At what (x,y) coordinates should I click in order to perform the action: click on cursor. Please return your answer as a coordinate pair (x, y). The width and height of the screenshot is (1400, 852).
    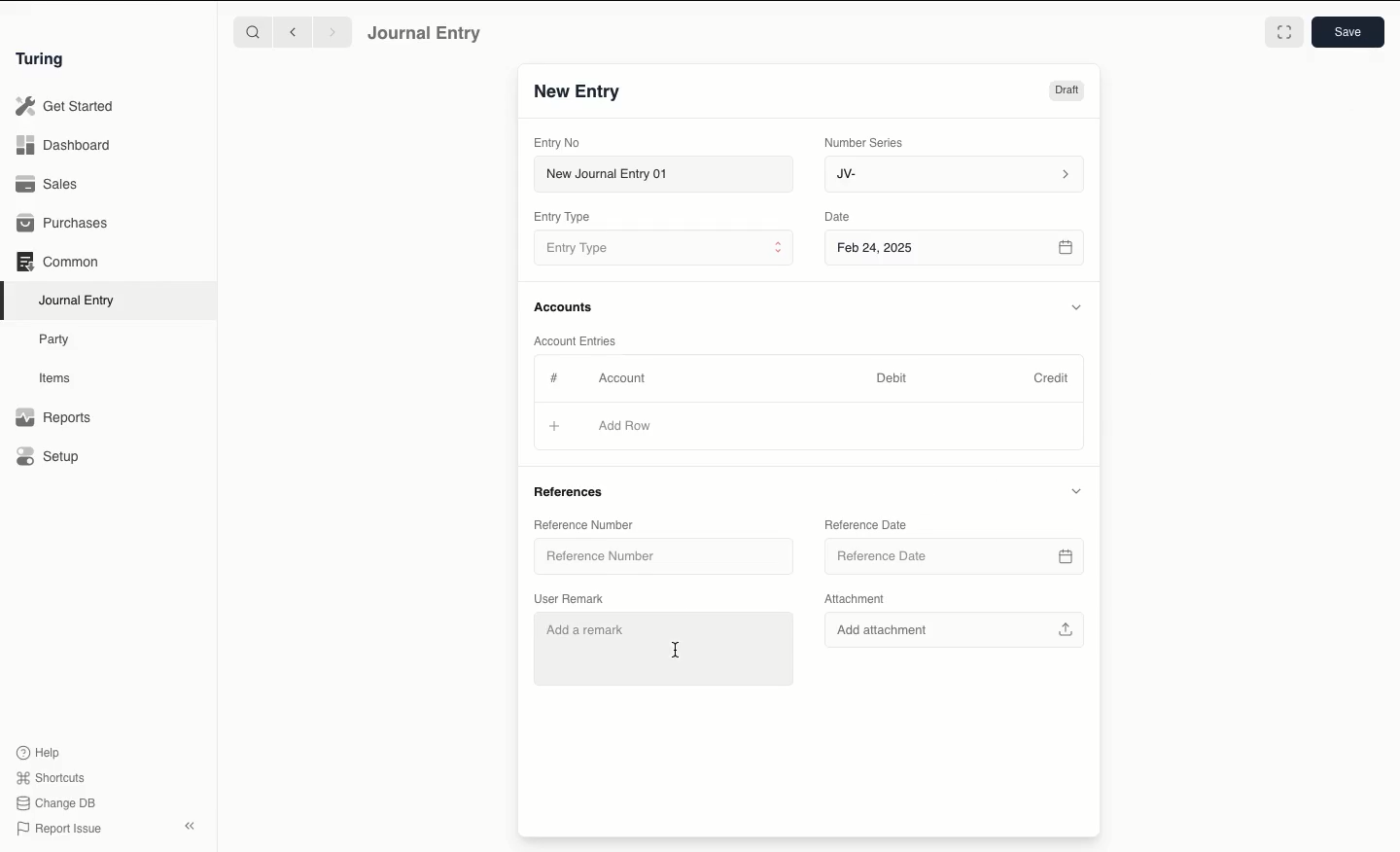
    Looking at the image, I should click on (674, 651).